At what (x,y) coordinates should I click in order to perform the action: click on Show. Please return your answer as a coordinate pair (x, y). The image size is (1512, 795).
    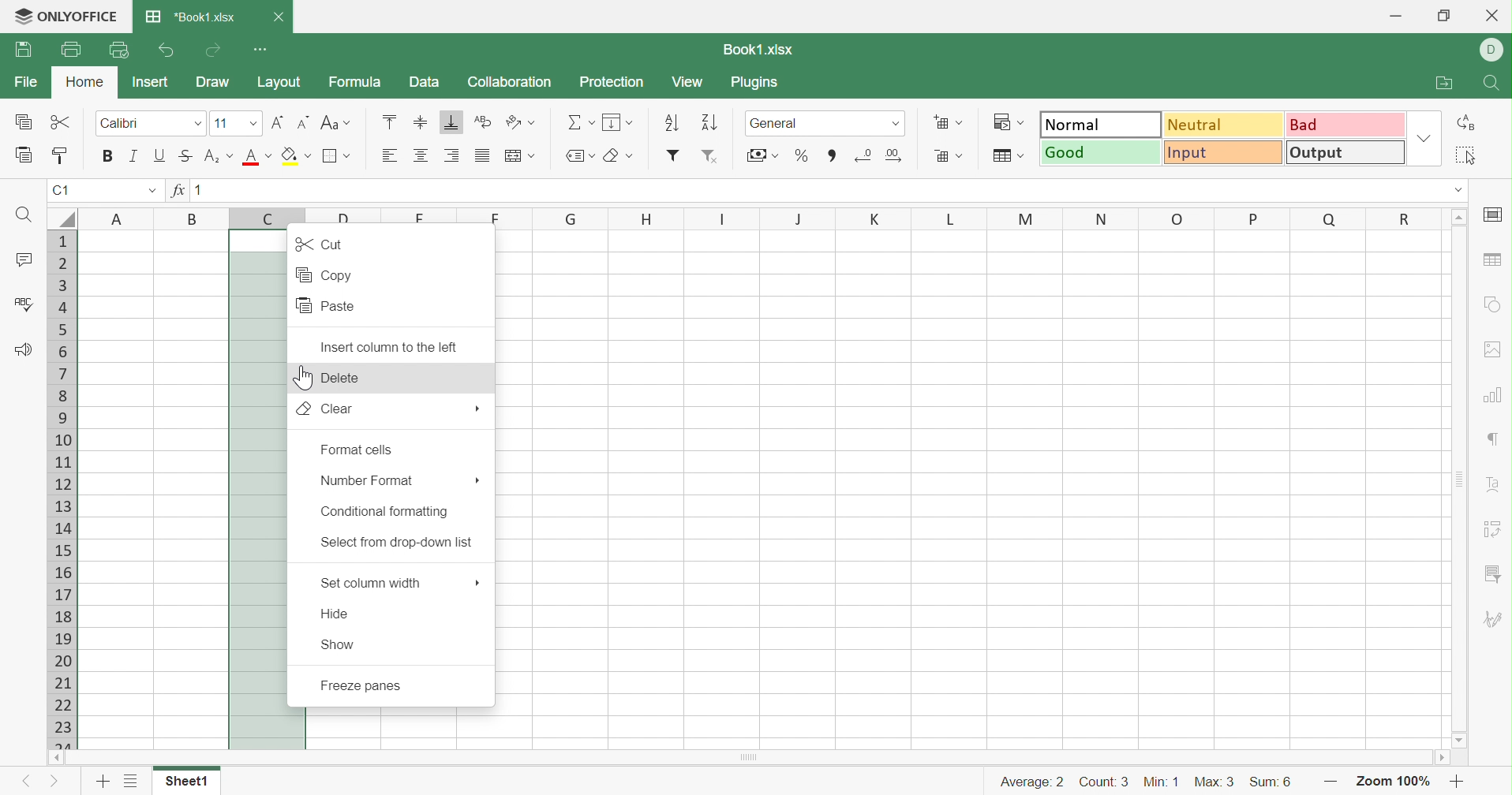
    Looking at the image, I should click on (335, 644).